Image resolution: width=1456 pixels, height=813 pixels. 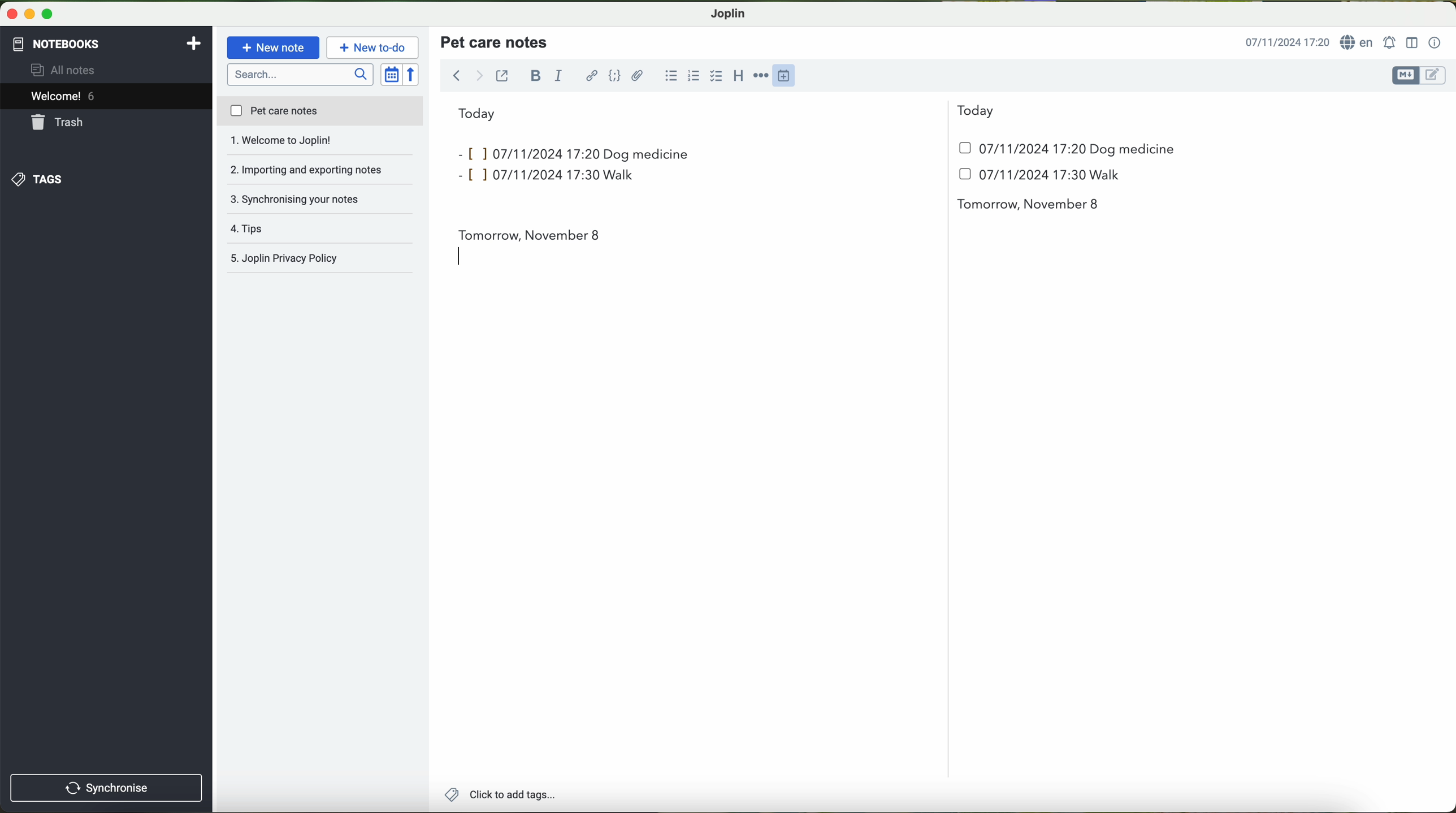 What do you see at coordinates (55, 42) in the screenshot?
I see `notebooks` at bounding box center [55, 42].